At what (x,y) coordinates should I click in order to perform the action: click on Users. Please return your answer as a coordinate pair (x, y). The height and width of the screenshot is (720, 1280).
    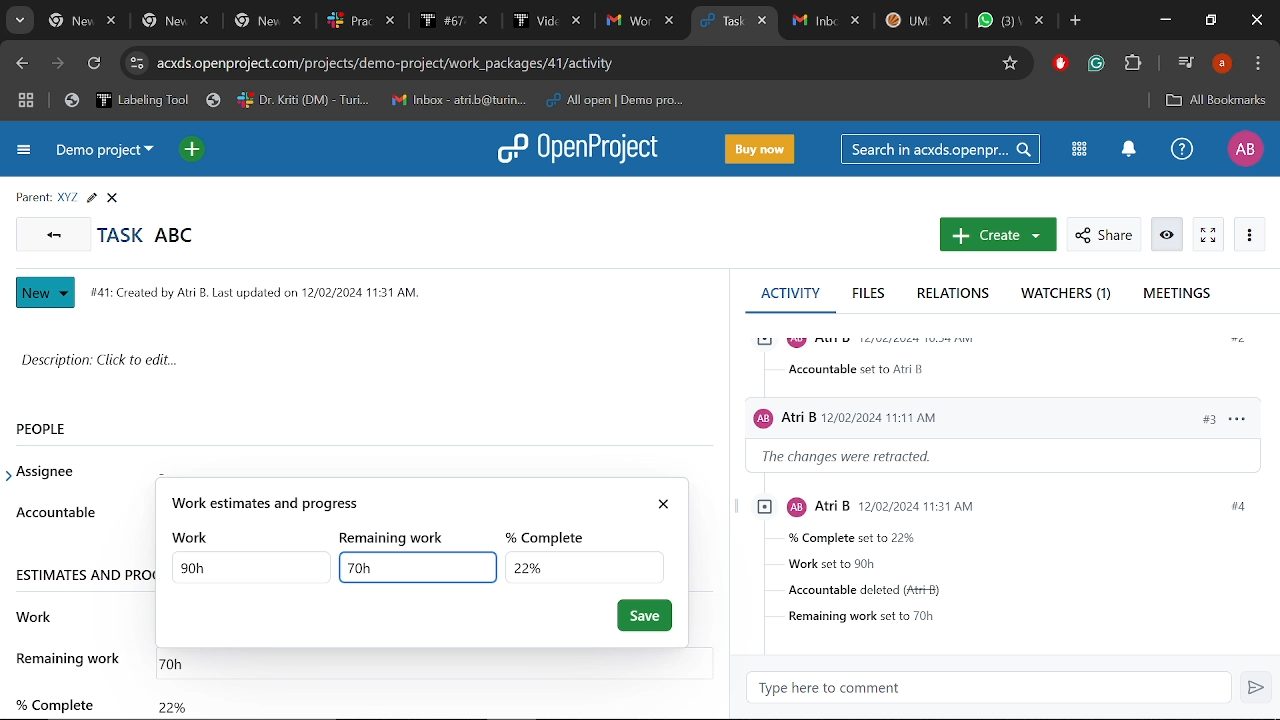
    Looking at the image, I should click on (942, 414).